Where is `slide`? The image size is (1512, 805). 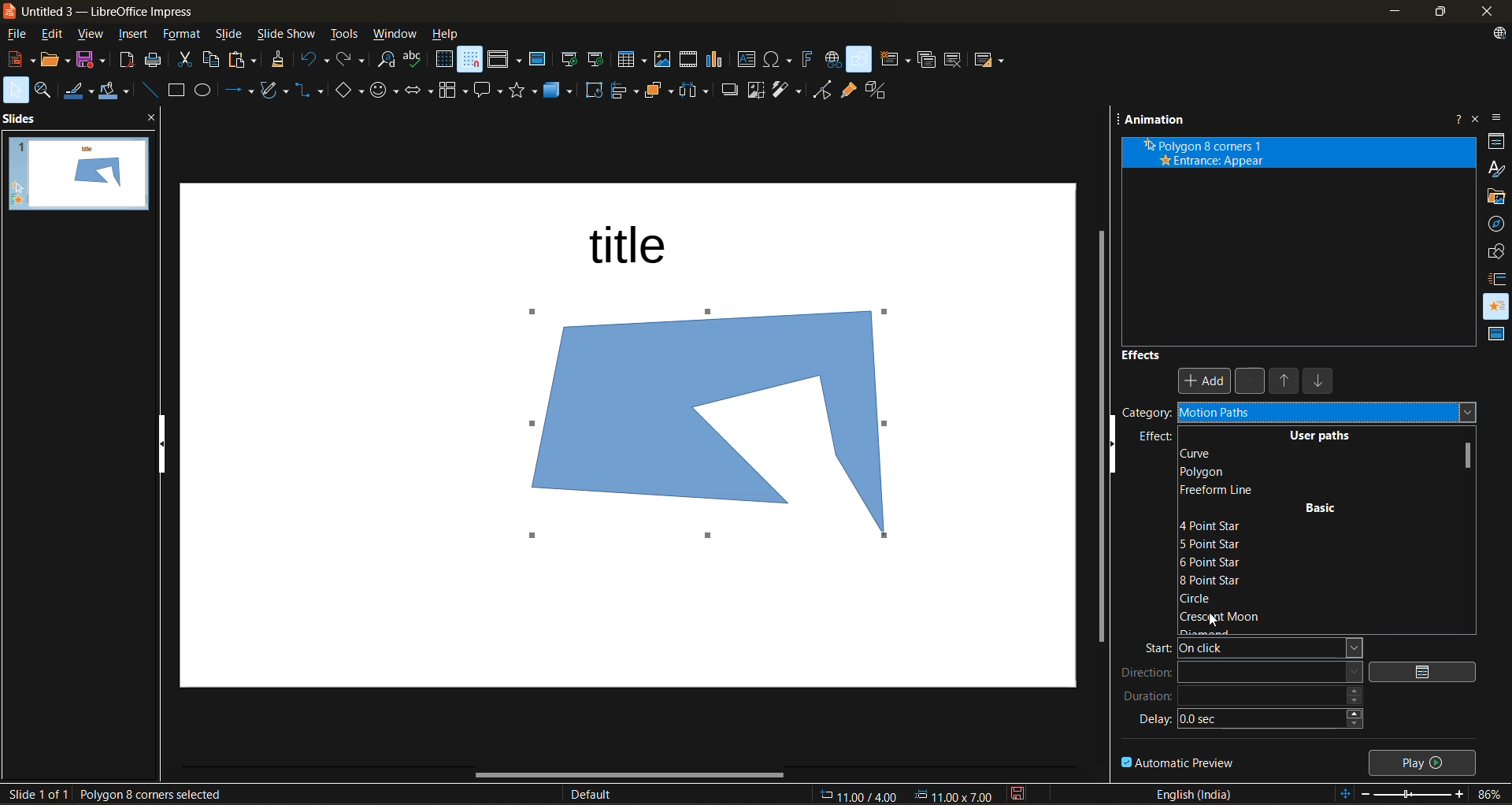 slide is located at coordinates (231, 36).